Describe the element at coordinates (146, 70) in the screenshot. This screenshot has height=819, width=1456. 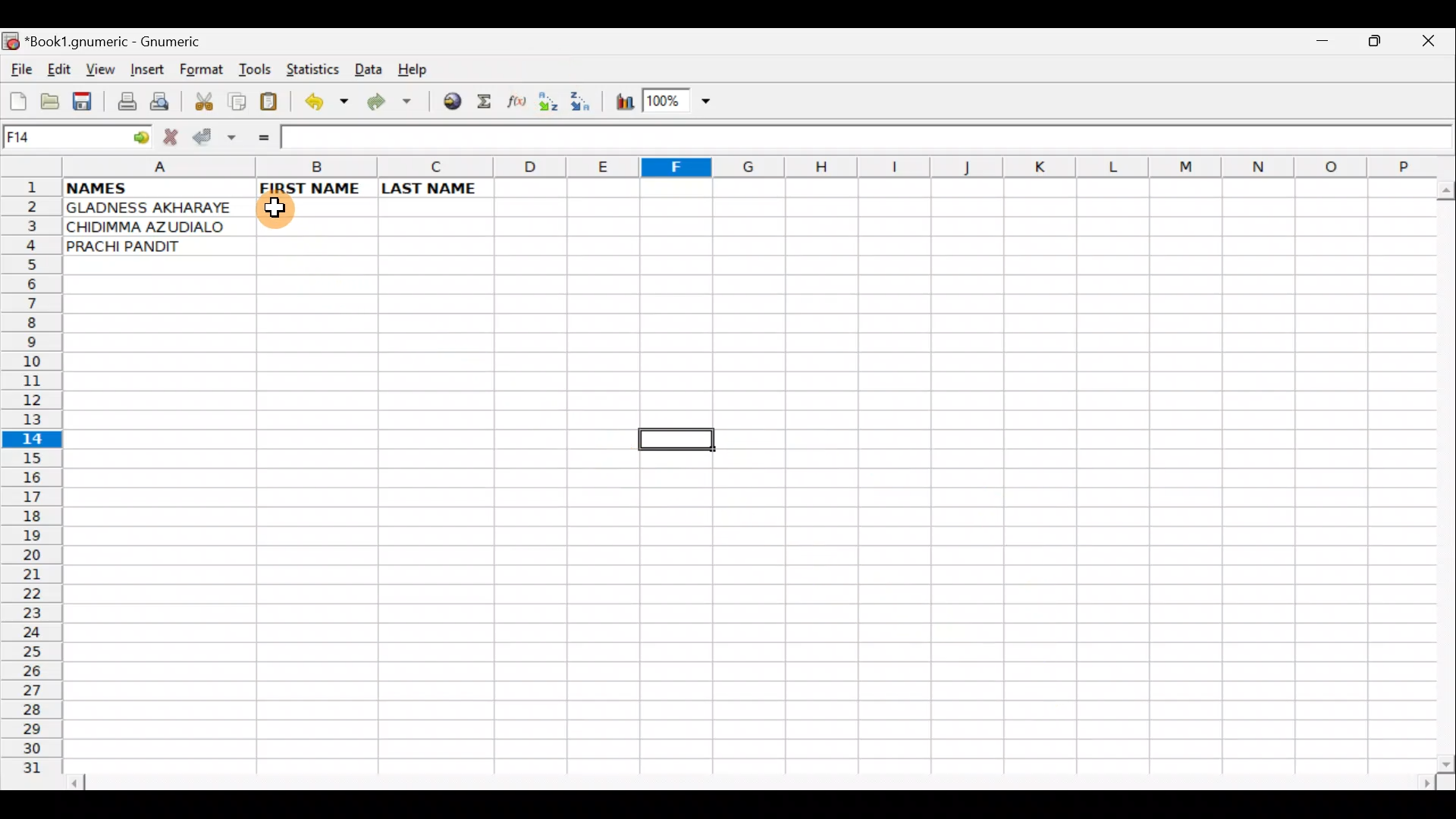
I see `Insert` at that location.